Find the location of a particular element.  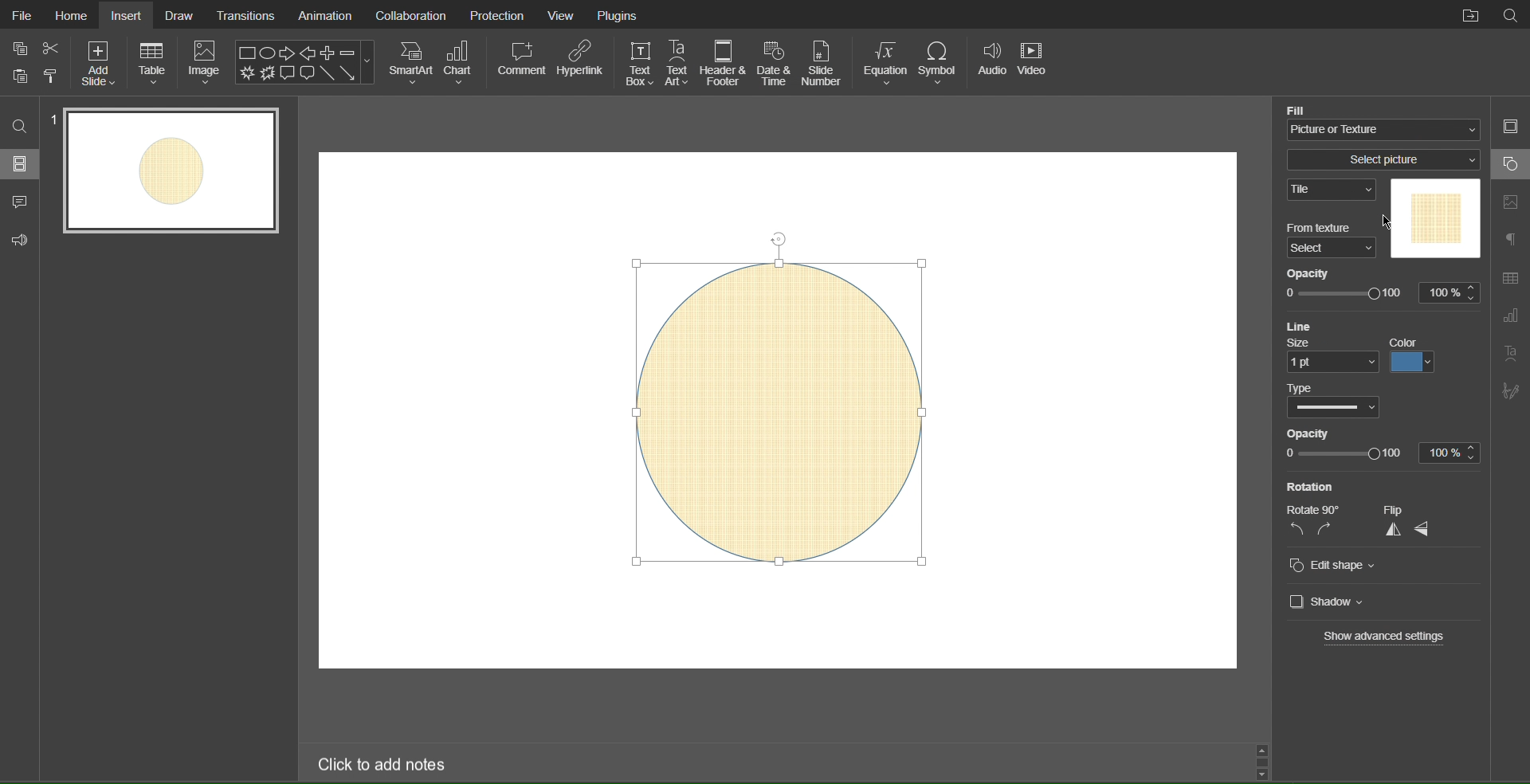

Search is located at coordinates (20, 126).